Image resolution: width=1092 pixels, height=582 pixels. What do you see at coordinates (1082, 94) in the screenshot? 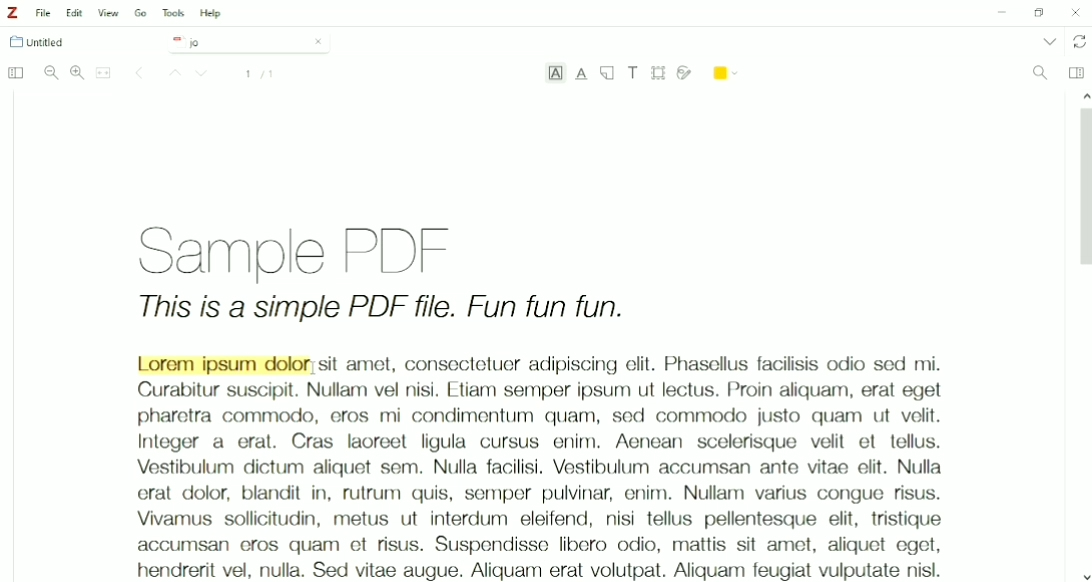
I see `up` at bounding box center [1082, 94].